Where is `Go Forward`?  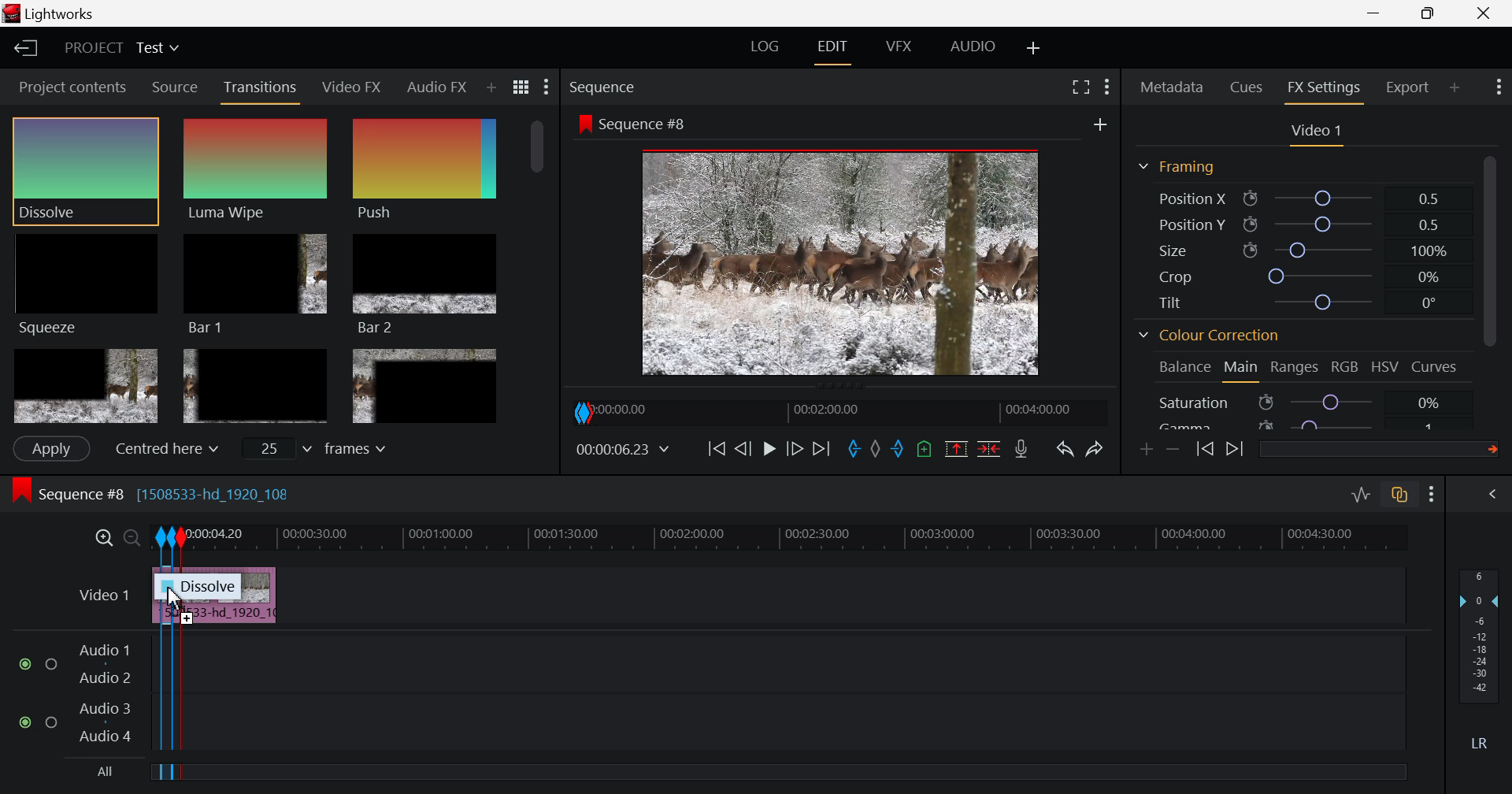 Go Forward is located at coordinates (795, 451).